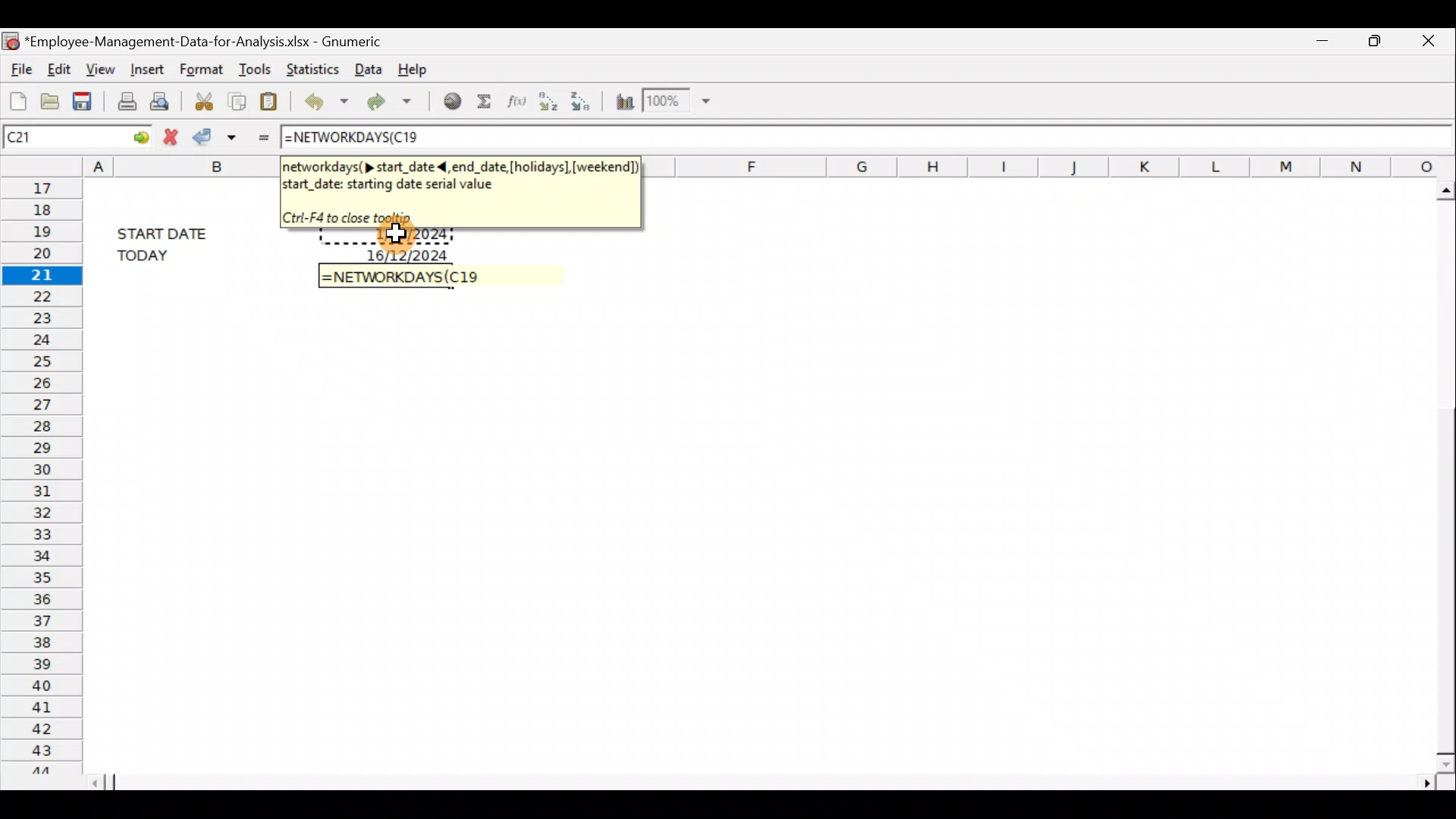 Image resolution: width=1456 pixels, height=819 pixels. I want to click on Zoom, so click(679, 102).